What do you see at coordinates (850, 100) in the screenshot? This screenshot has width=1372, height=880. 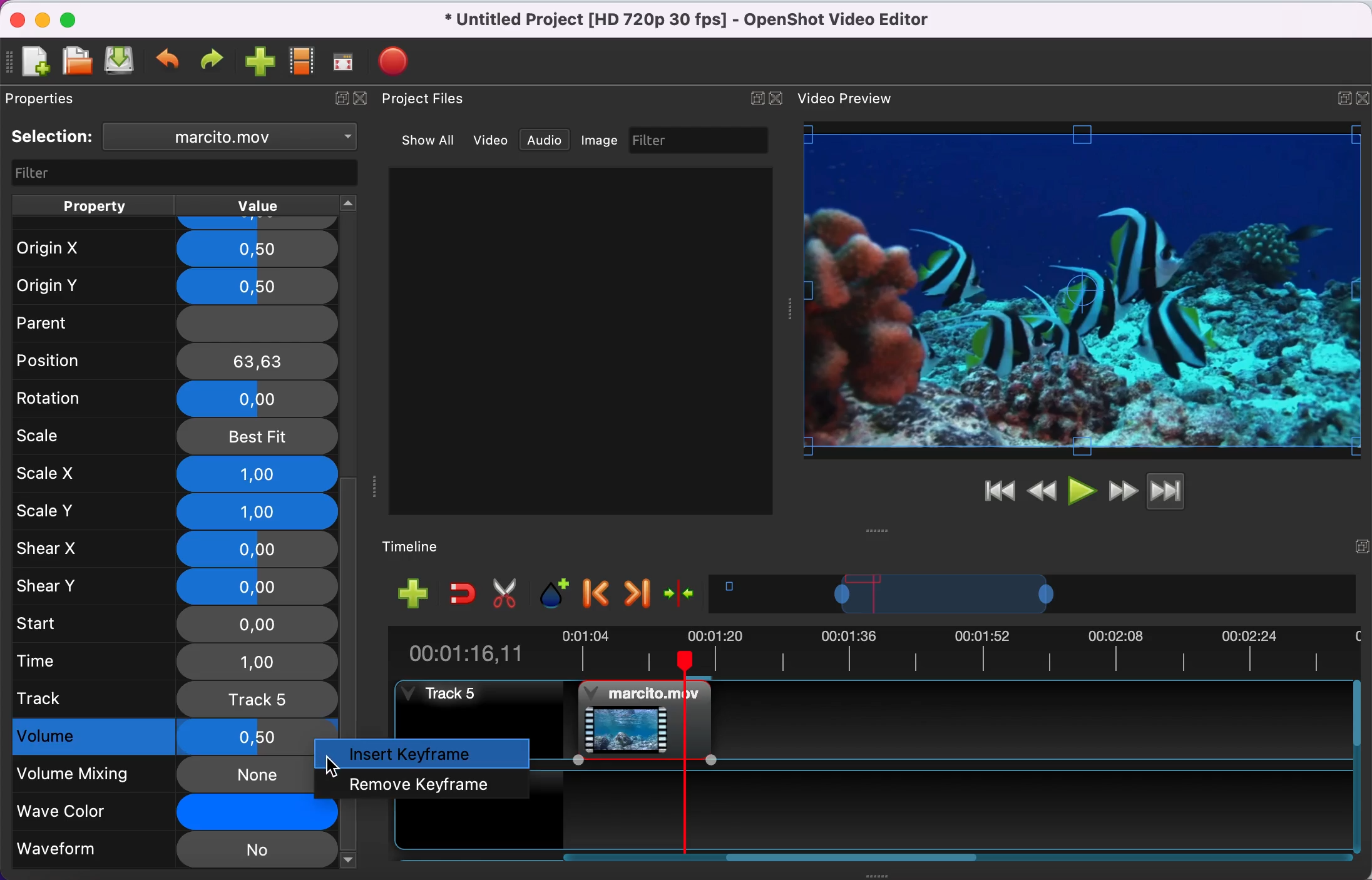 I see `video preview` at bounding box center [850, 100].